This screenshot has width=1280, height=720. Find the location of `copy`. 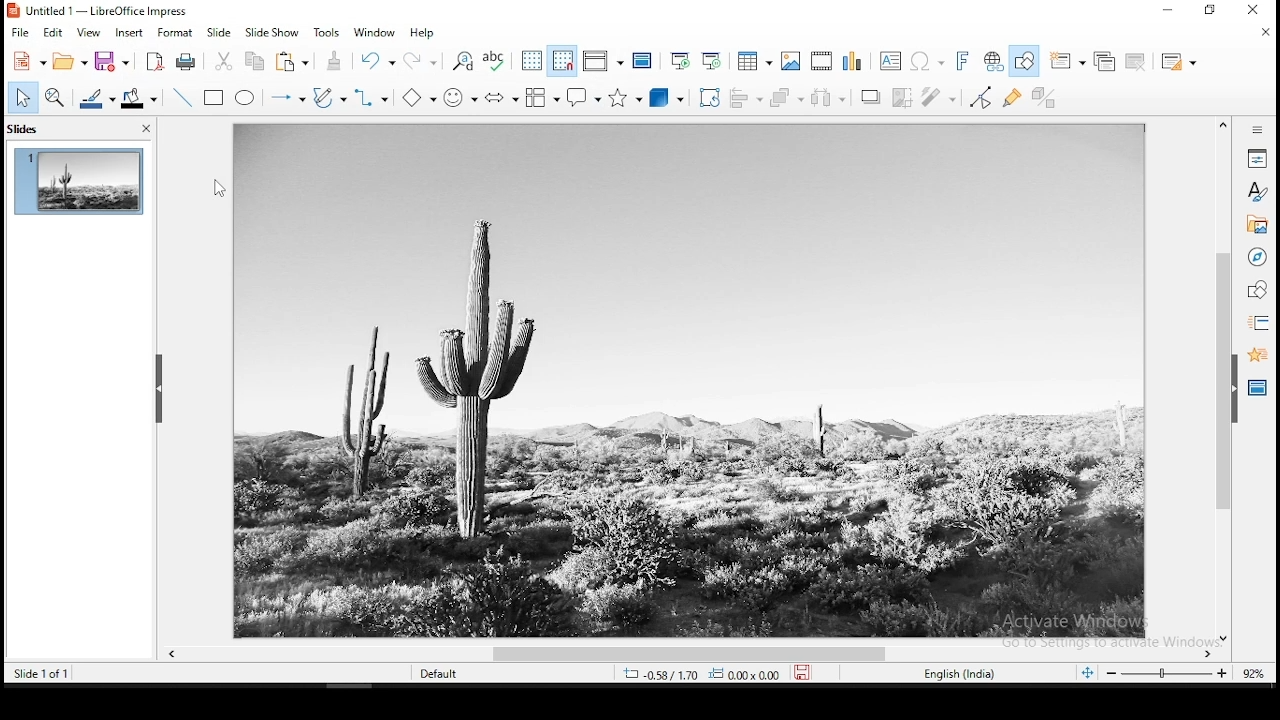

copy is located at coordinates (259, 64).